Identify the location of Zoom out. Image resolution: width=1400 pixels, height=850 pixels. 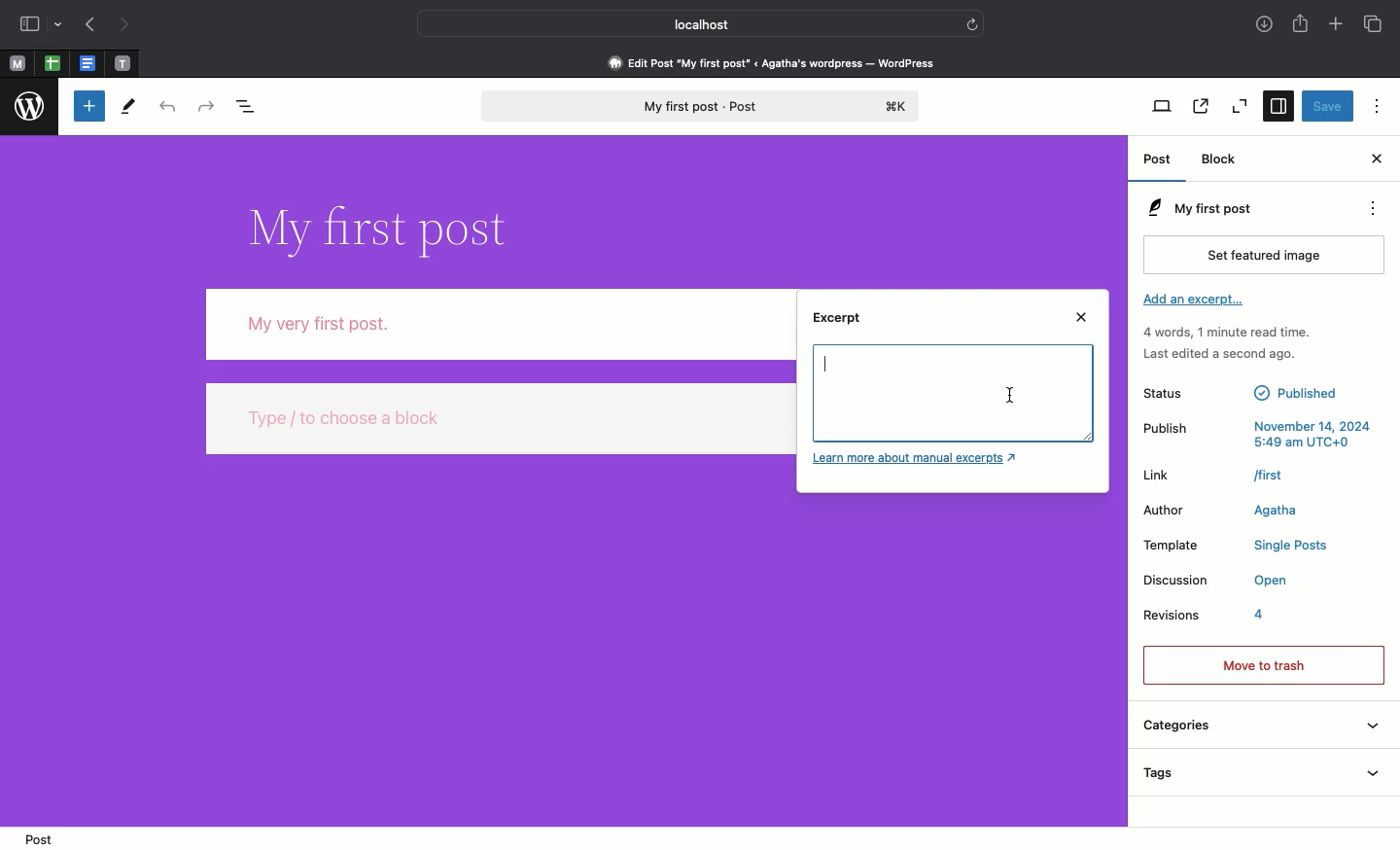
(1241, 108).